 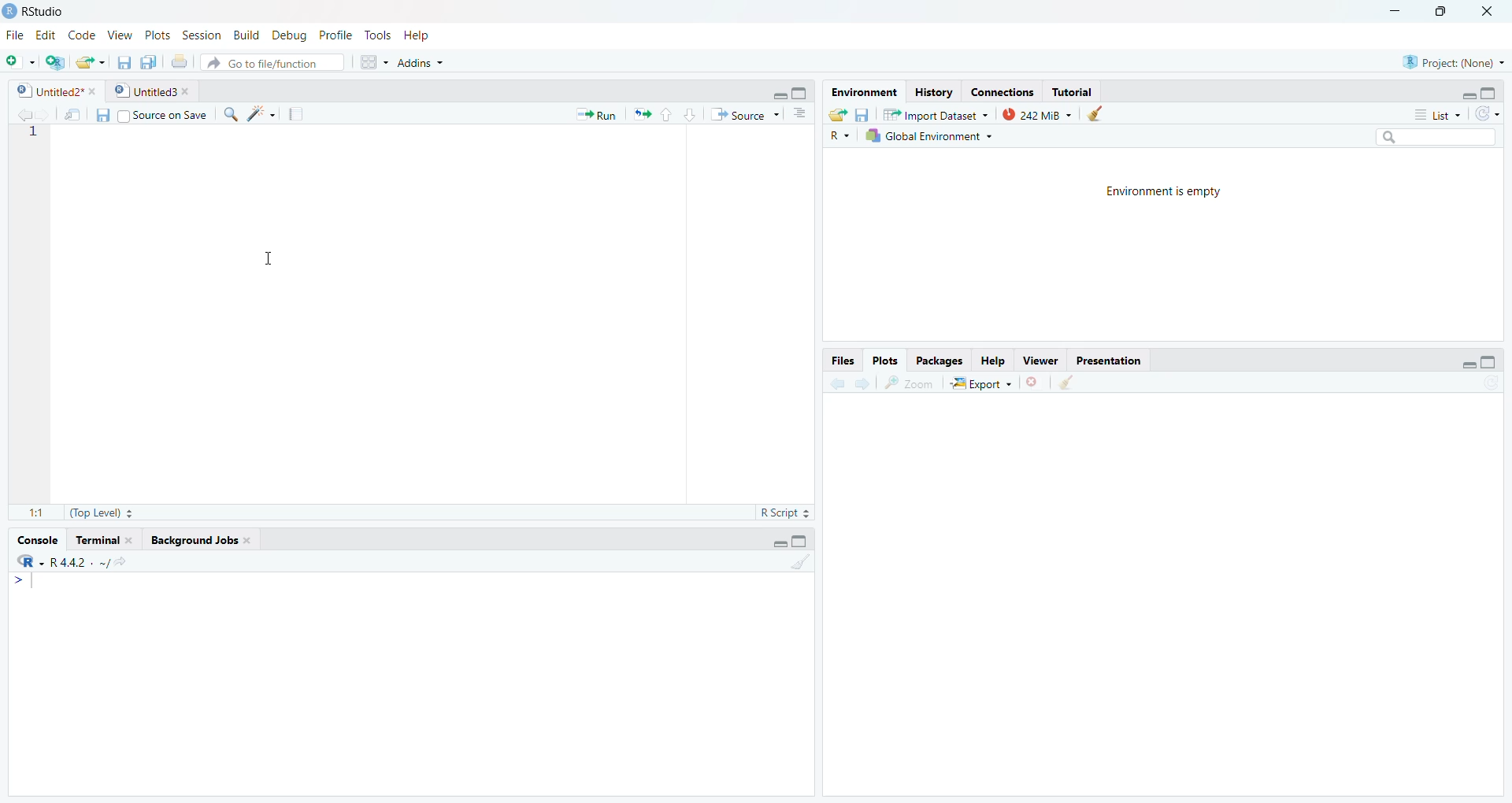 What do you see at coordinates (45, 113) in the screenshot?
I see `move forward` at bounding box center [45, 113].